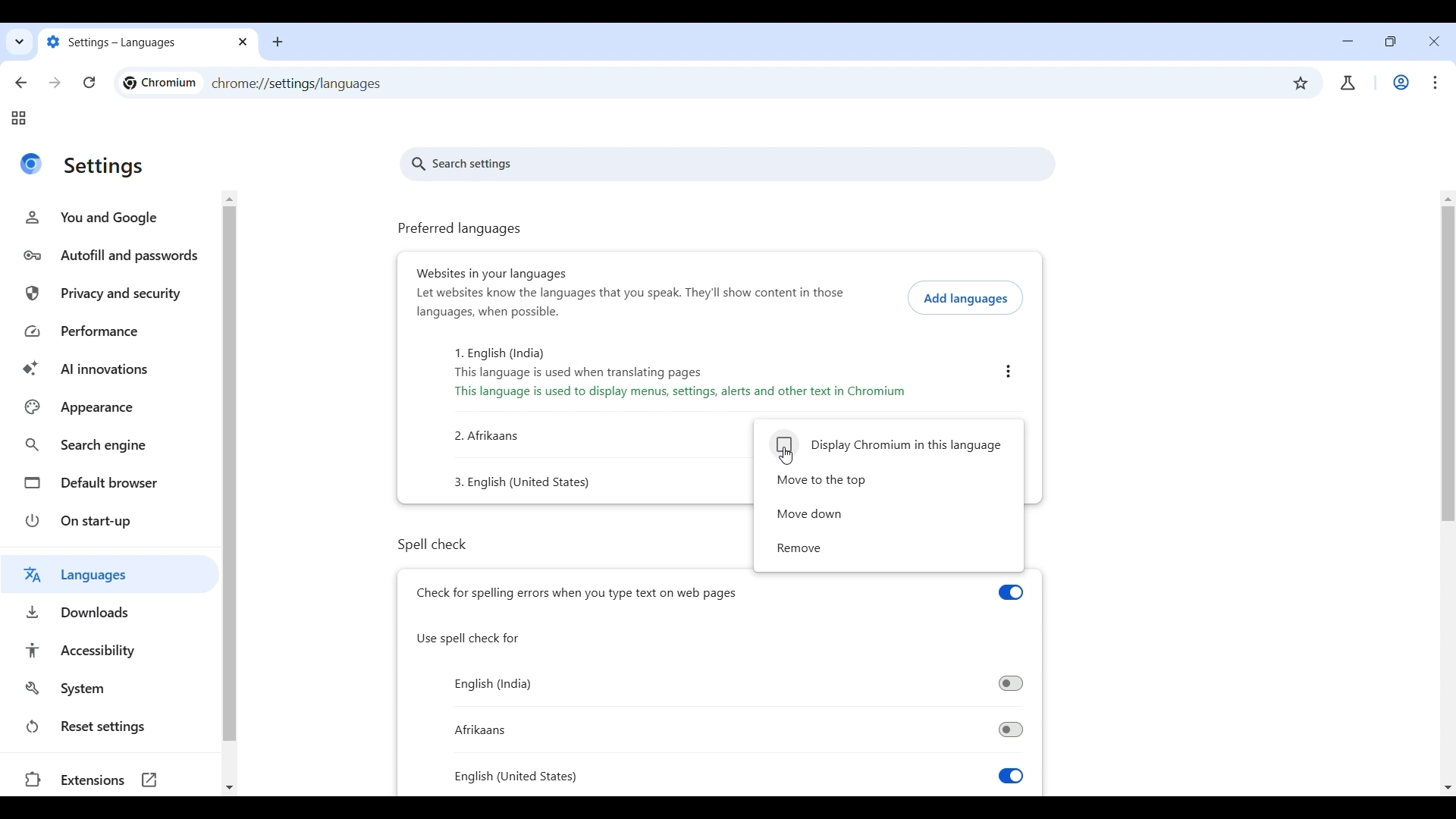 This screenshot has height=819, width=1456. What do you see at coordinates (232, 475) in the screenshot?
I see `Vertical slide bar` at bounding box center [232, 475].